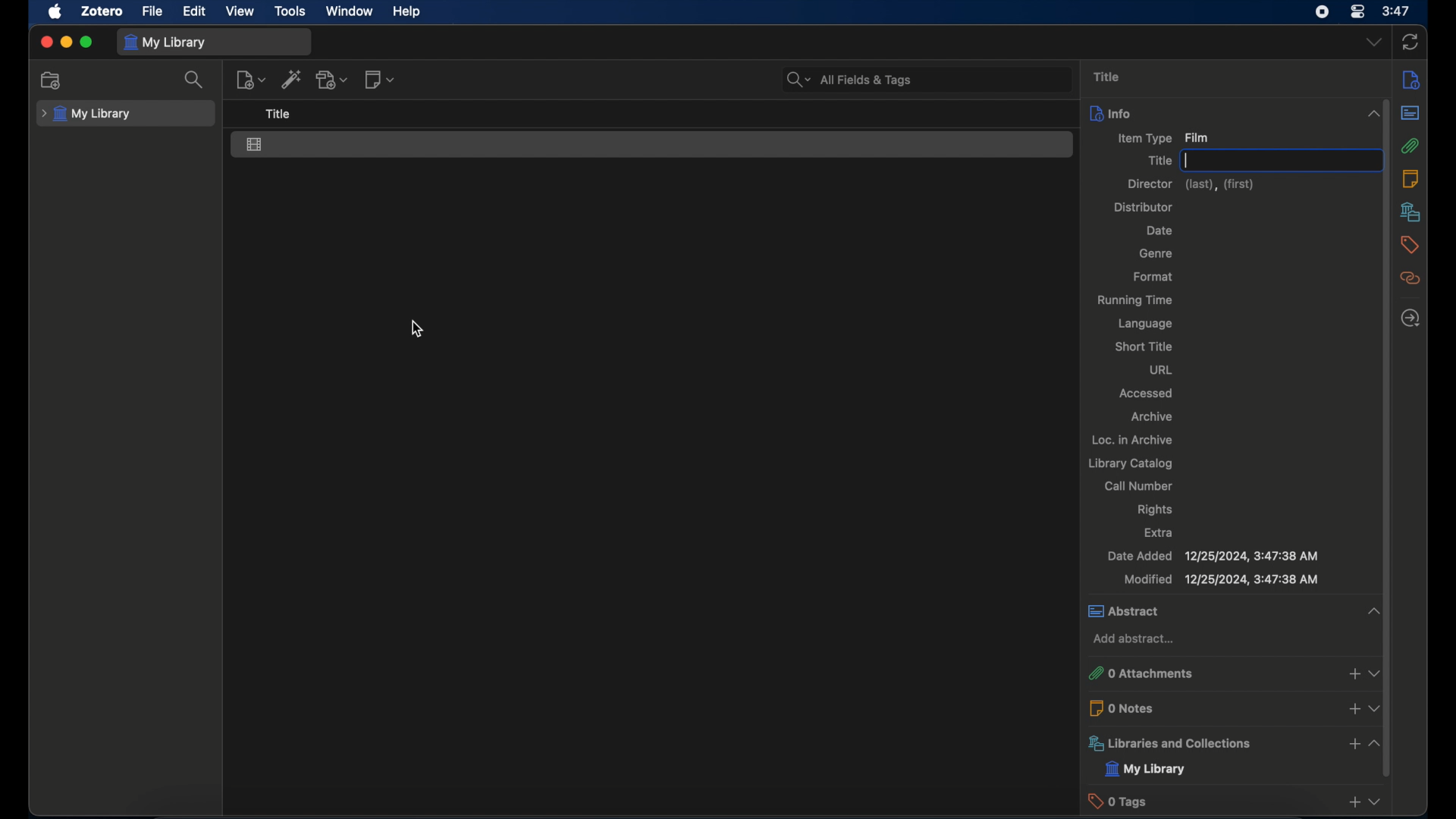 The height and width of the screenshot is (819, 1456). Describe the element at coordinates (45, 42) in the screenshot. I see `close` at that location.